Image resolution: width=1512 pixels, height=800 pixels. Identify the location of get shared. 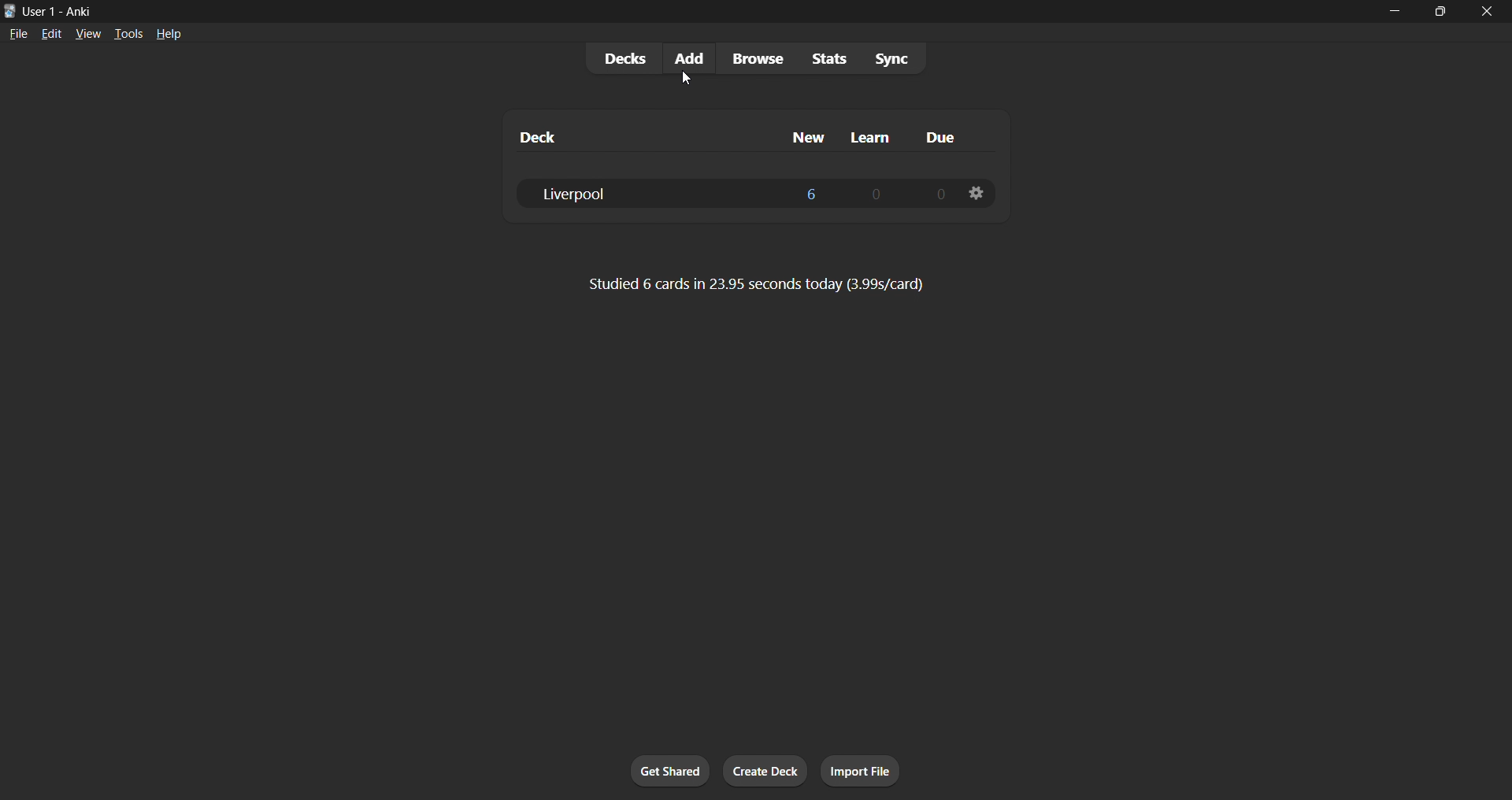
(670, 771).